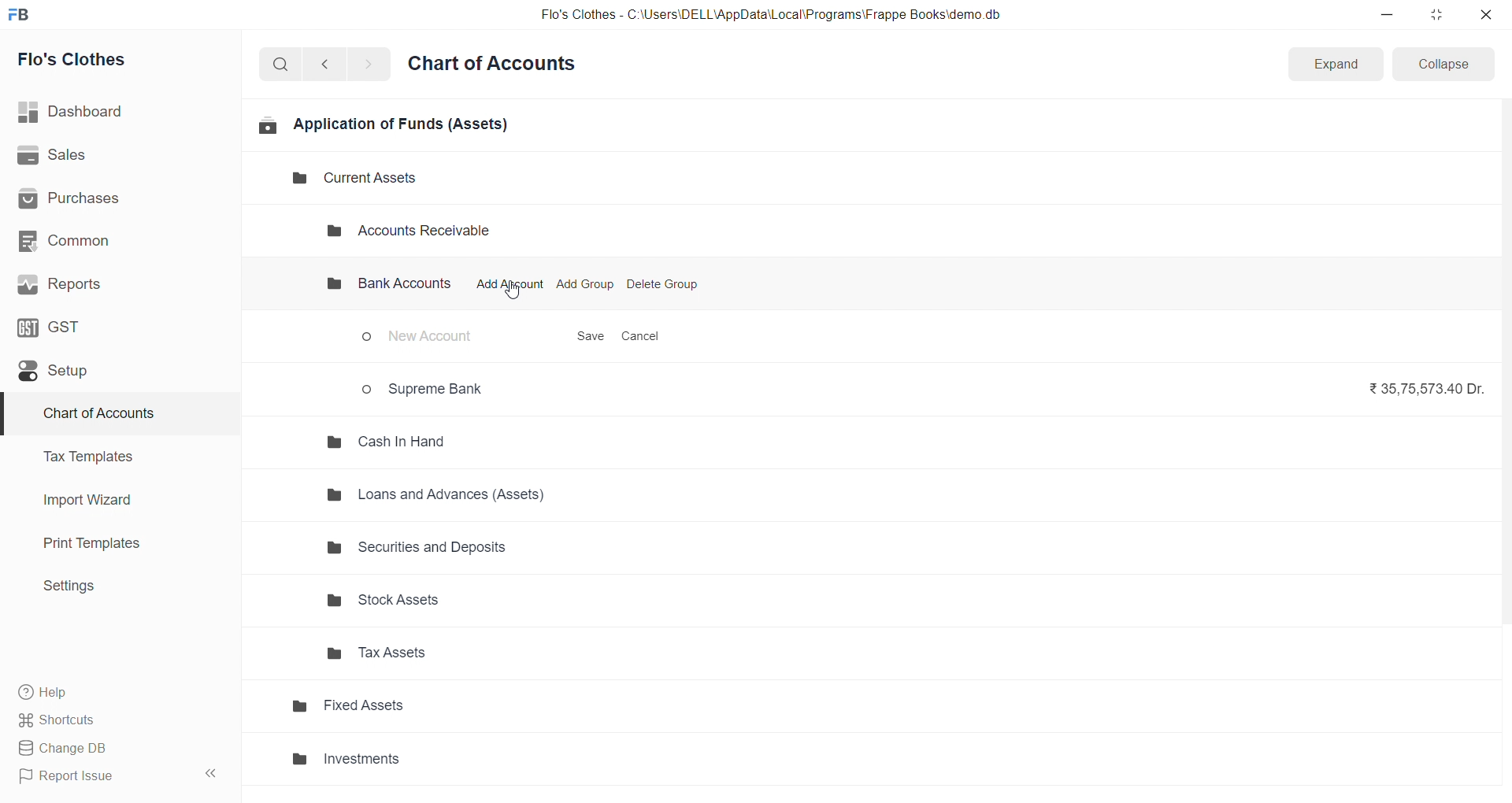 This screenshot has height=803, width=1512. Describe the element at coordinates (424, 339) in the screenshot. I see `New Account` at that location.